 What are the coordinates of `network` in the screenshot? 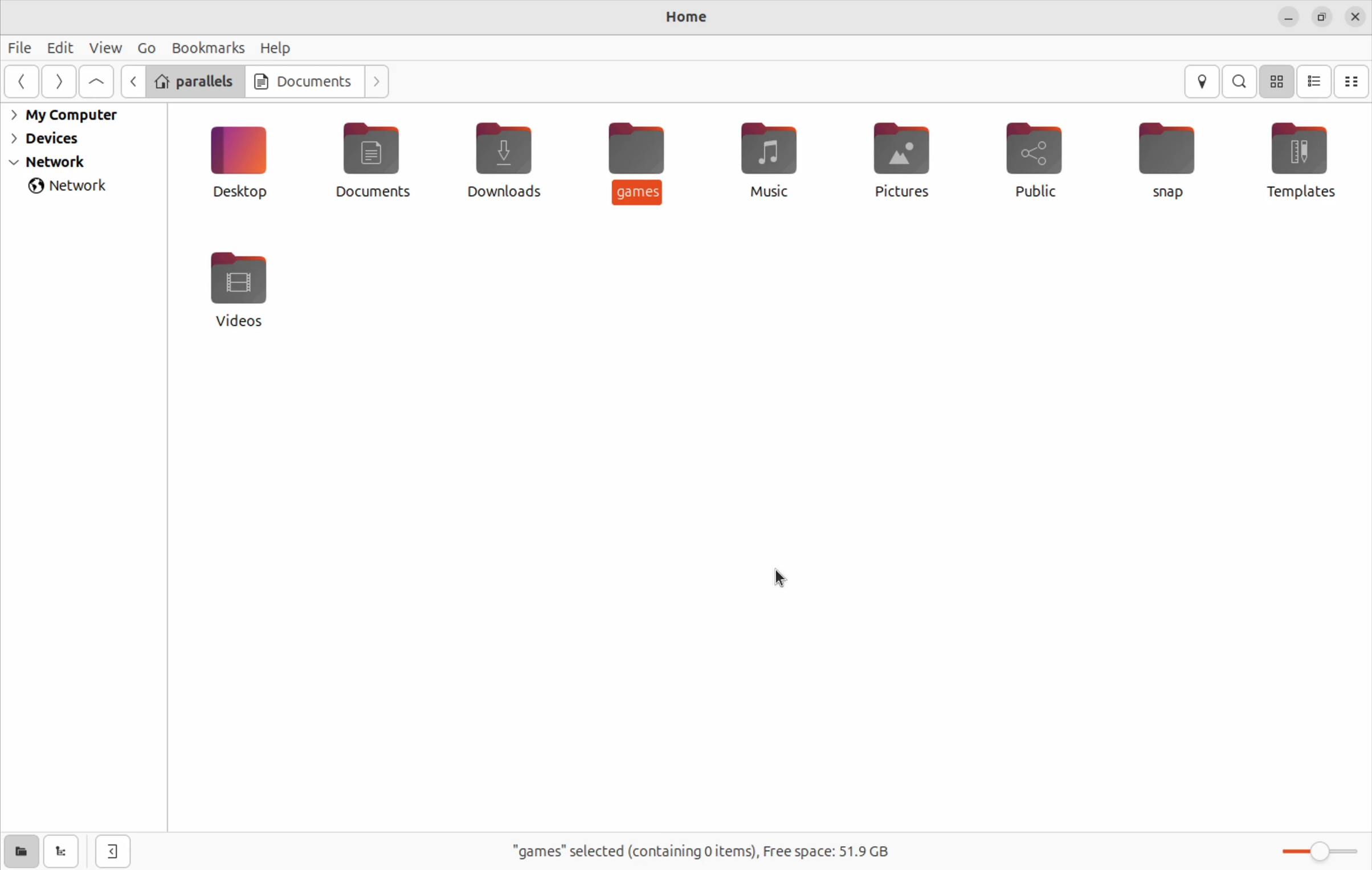 It's located at (67, 162).